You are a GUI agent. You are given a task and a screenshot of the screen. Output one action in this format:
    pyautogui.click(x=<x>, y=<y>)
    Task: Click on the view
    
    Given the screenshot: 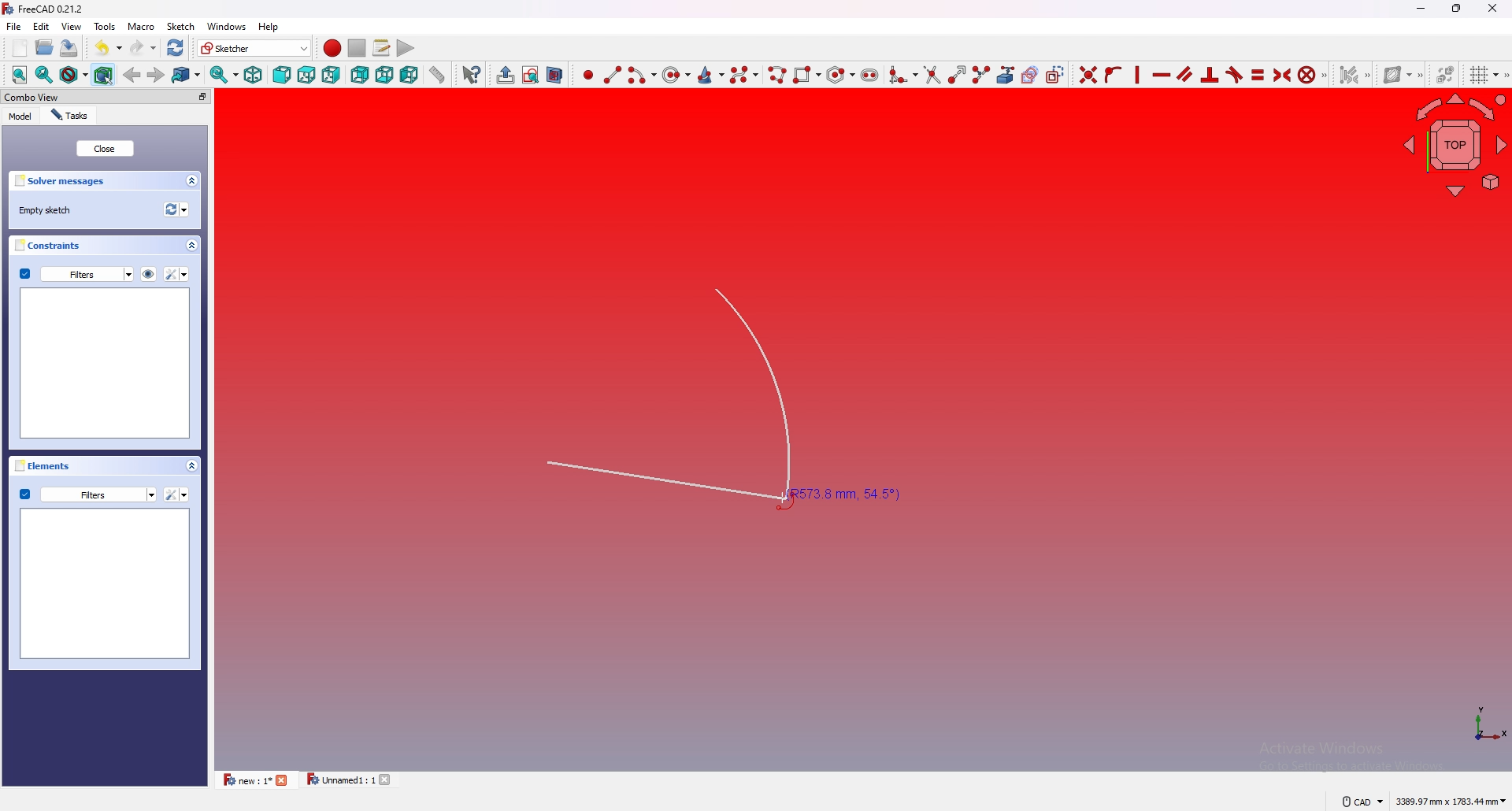 What is the action you would take?
    pyautogui.click(x=72, y=25)
    